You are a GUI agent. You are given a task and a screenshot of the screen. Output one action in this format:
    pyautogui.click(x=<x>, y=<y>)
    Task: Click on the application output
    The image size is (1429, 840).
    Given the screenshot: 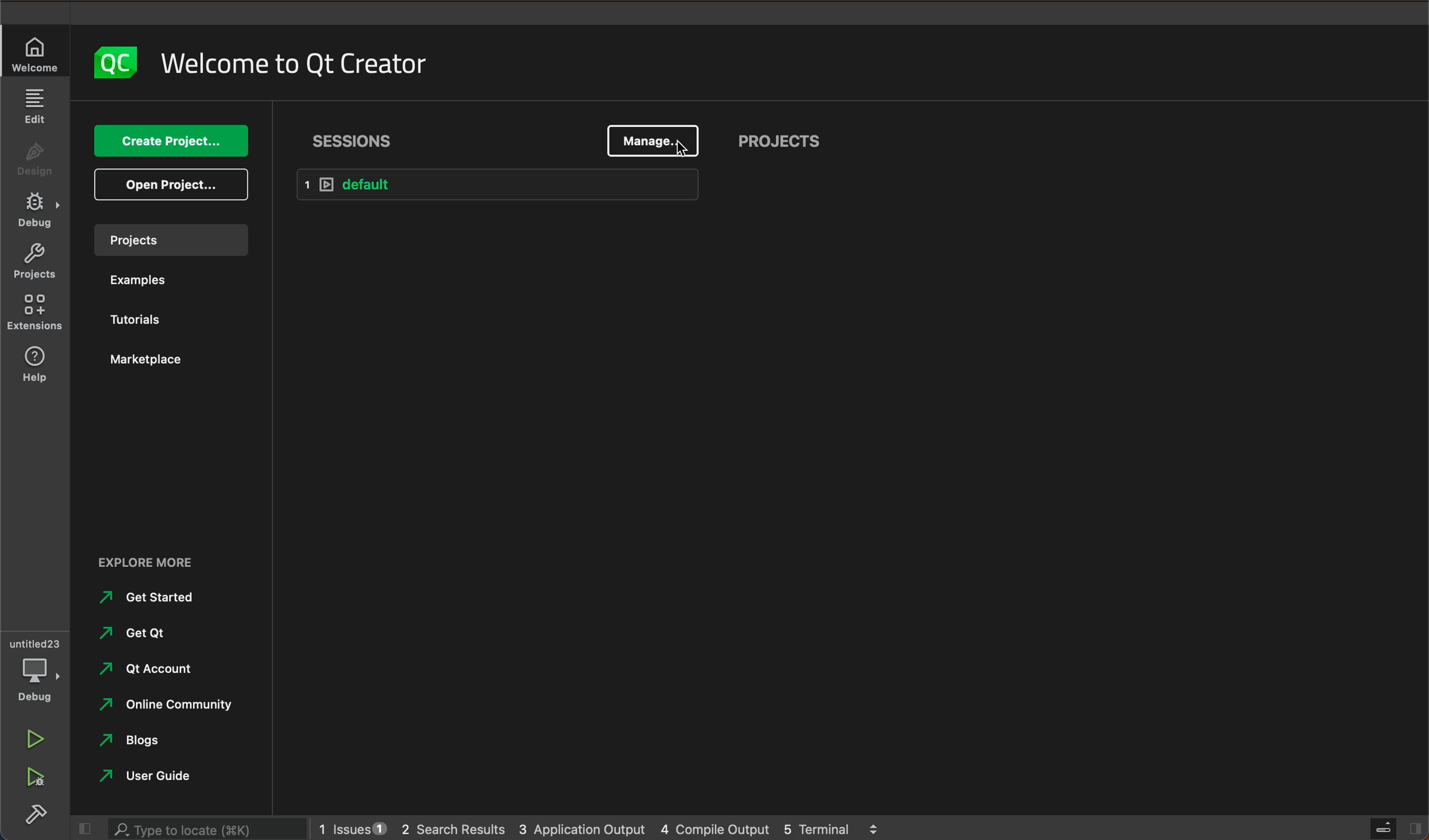 What is the action you would take?
    pyautogui.click(x=583, y=826)
    